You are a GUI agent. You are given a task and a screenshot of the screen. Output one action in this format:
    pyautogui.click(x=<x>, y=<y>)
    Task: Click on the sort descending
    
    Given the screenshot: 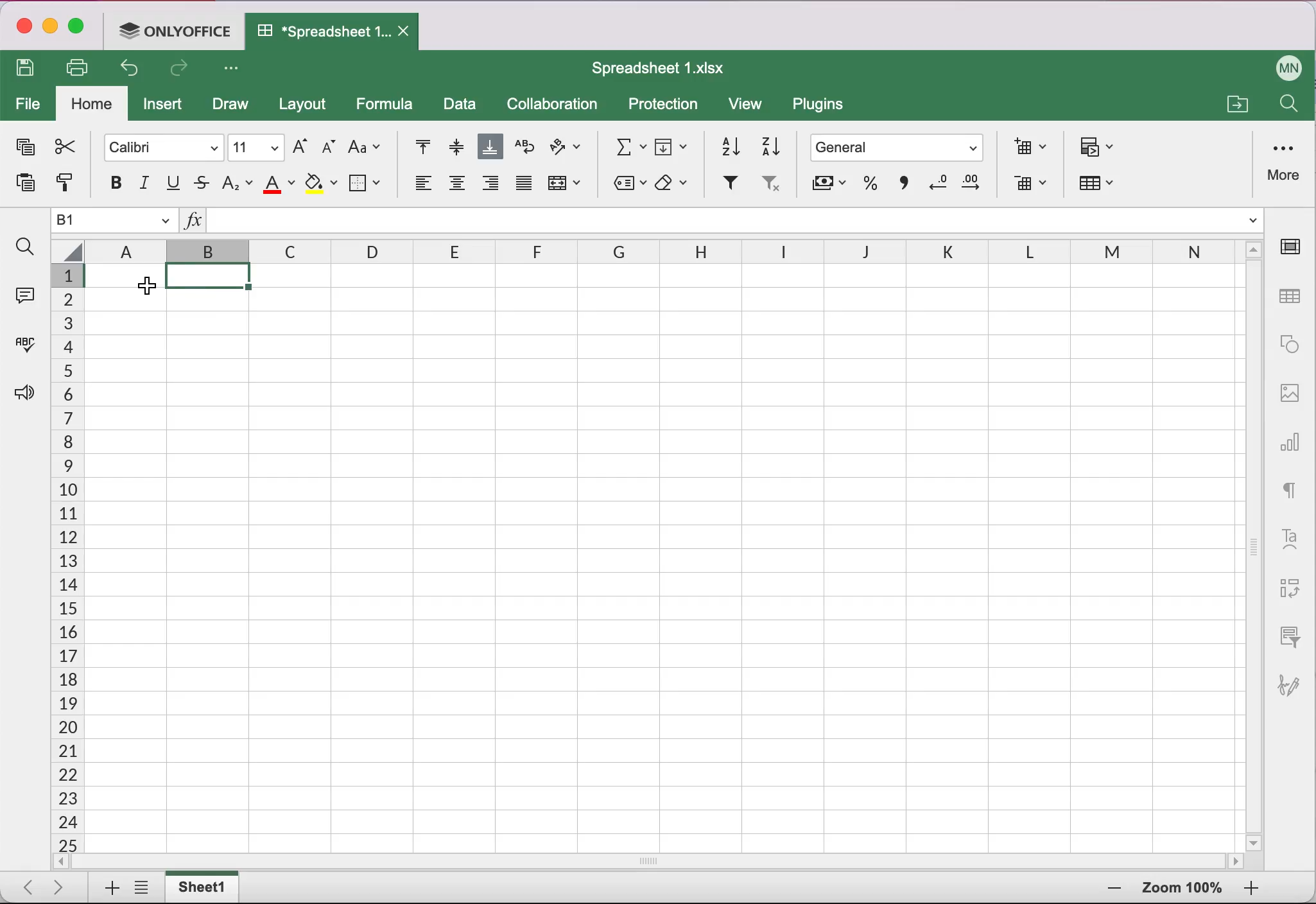 What is the action you would take?
    pyautogui.click(x=772, y=145)
    